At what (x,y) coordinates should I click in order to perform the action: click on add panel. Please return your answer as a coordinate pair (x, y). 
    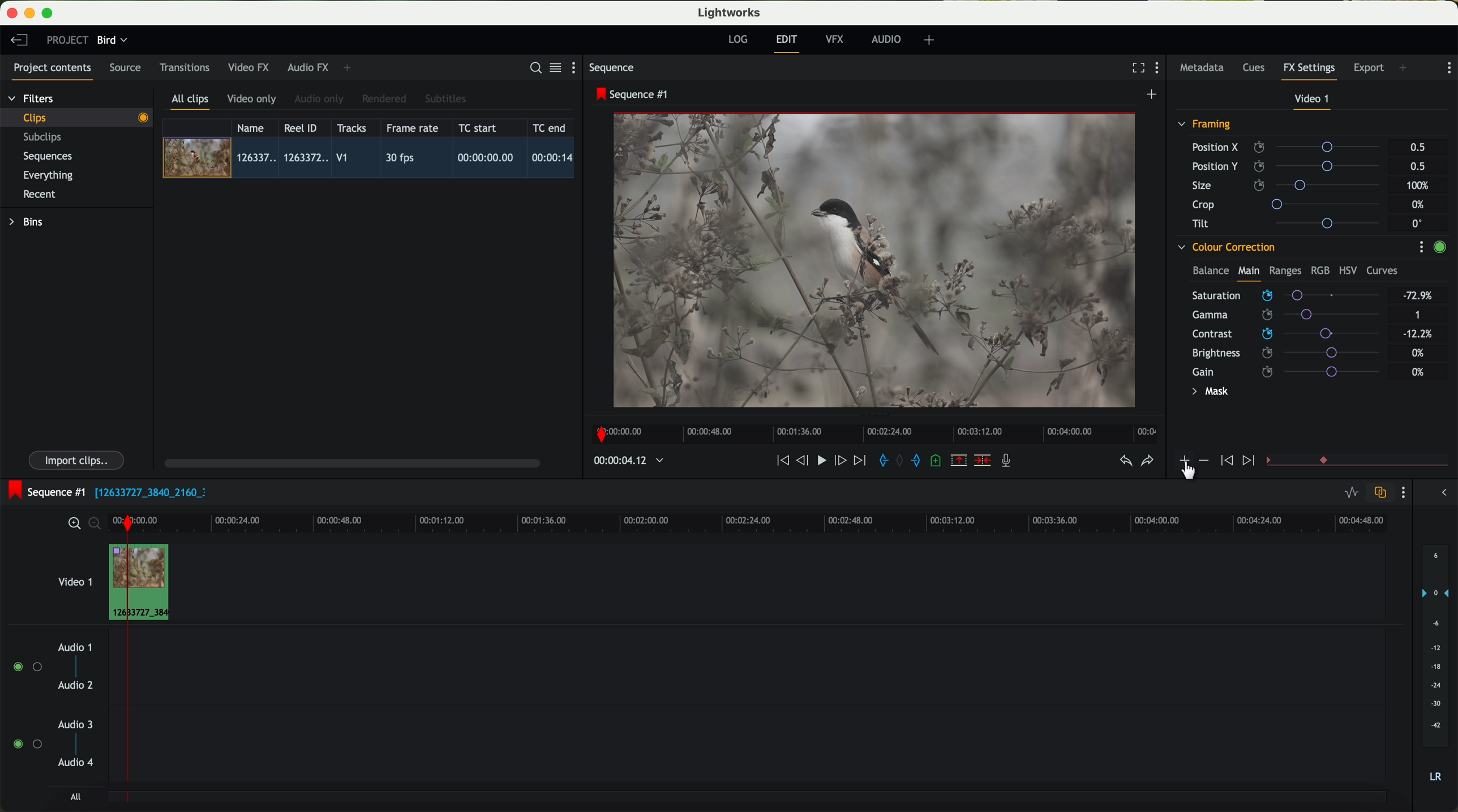
    Looking at the image, I should click on (1406, 69).